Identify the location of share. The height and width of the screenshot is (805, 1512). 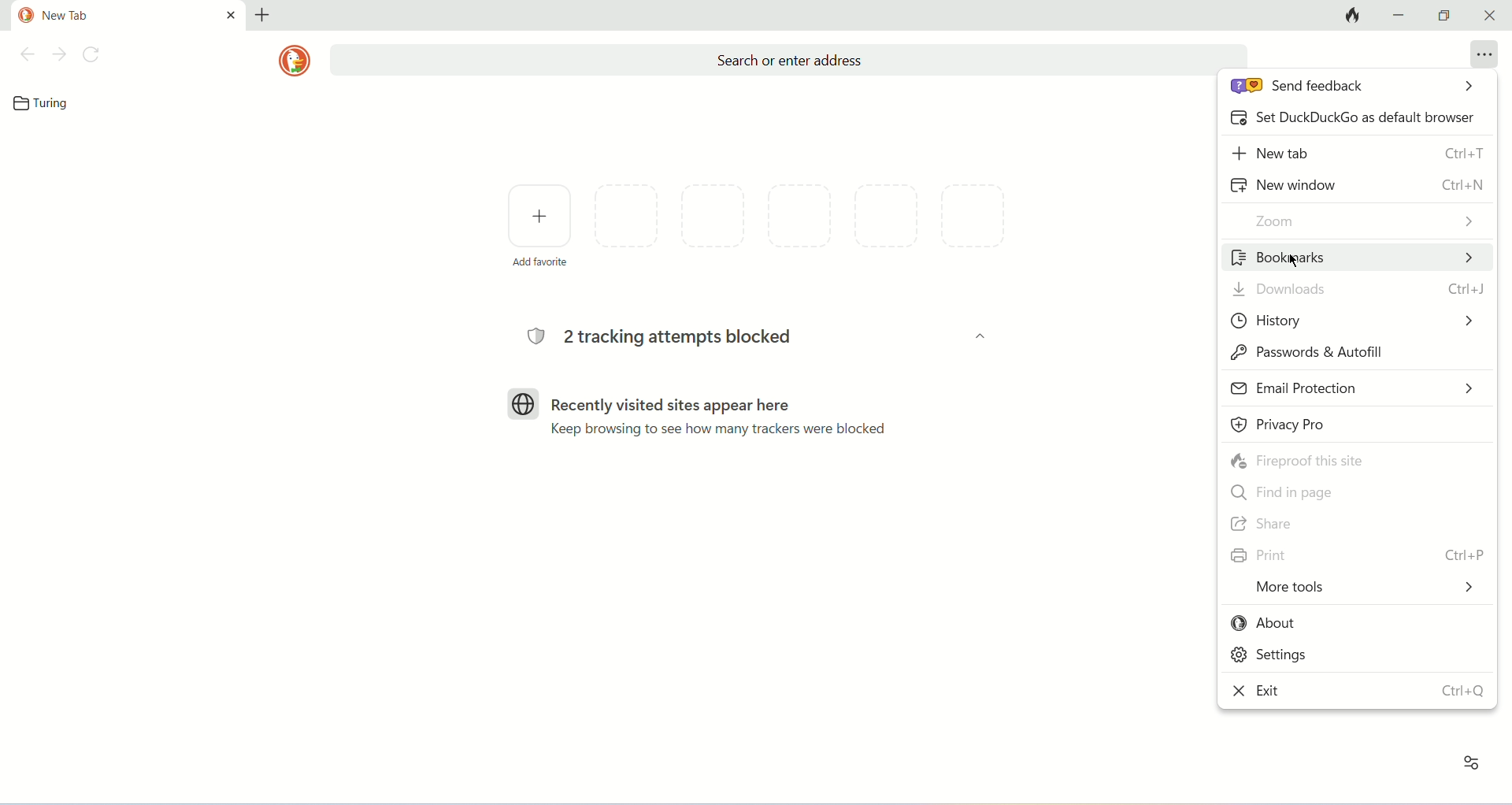
(1359, 526).